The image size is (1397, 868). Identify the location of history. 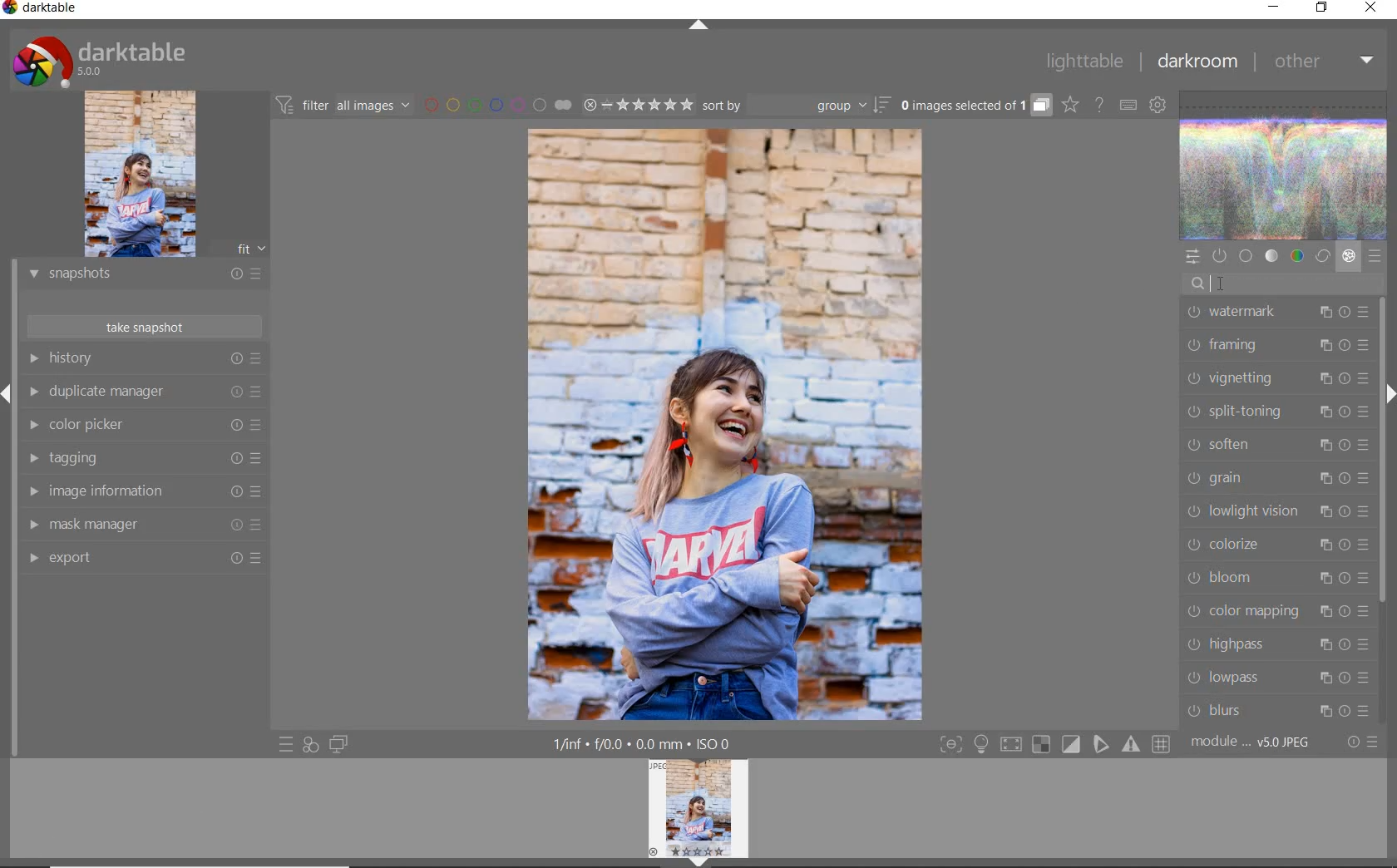
(150, 359).